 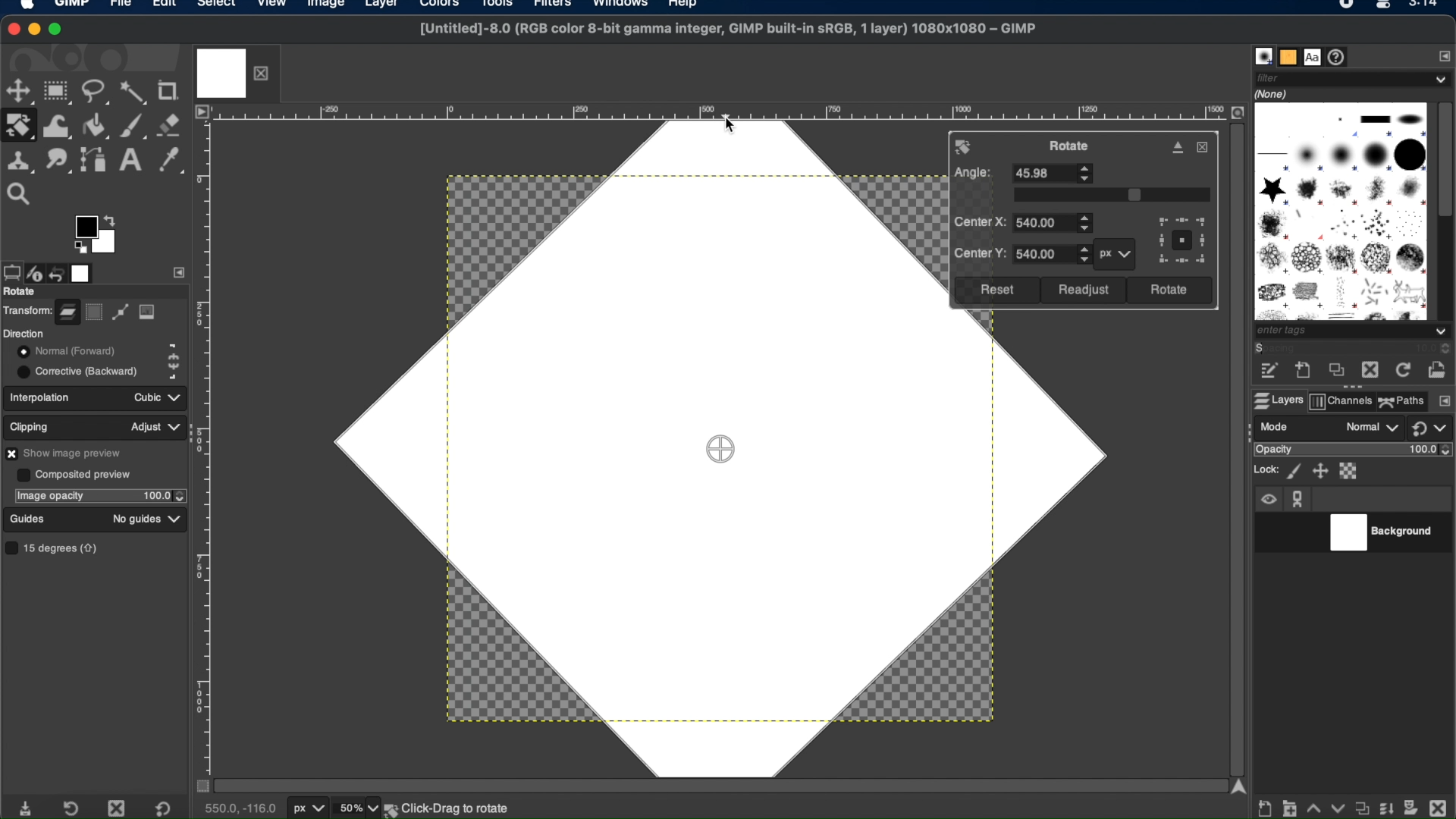 What do you see at coordinates (1299, 499) in the screenshot?
I see `anchor icon` at bounding box center [1299, 499].